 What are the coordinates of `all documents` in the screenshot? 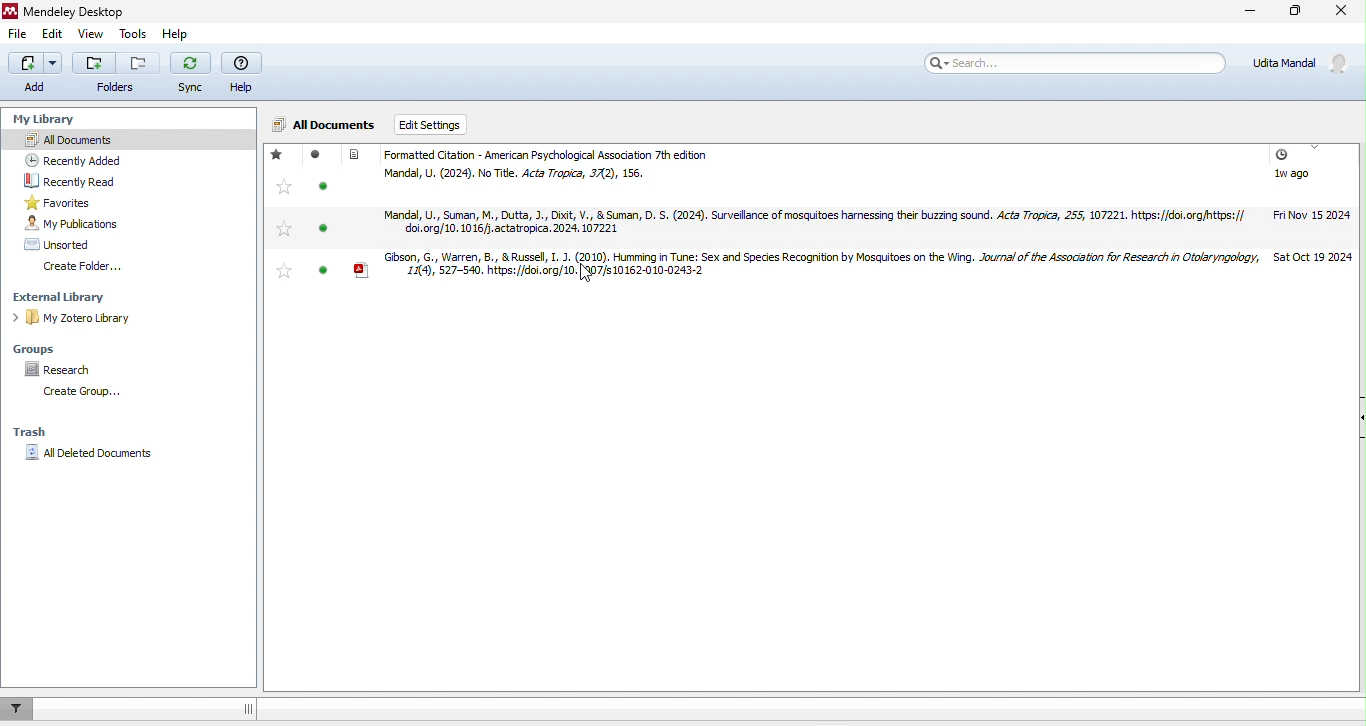 It's located at (130, 140).